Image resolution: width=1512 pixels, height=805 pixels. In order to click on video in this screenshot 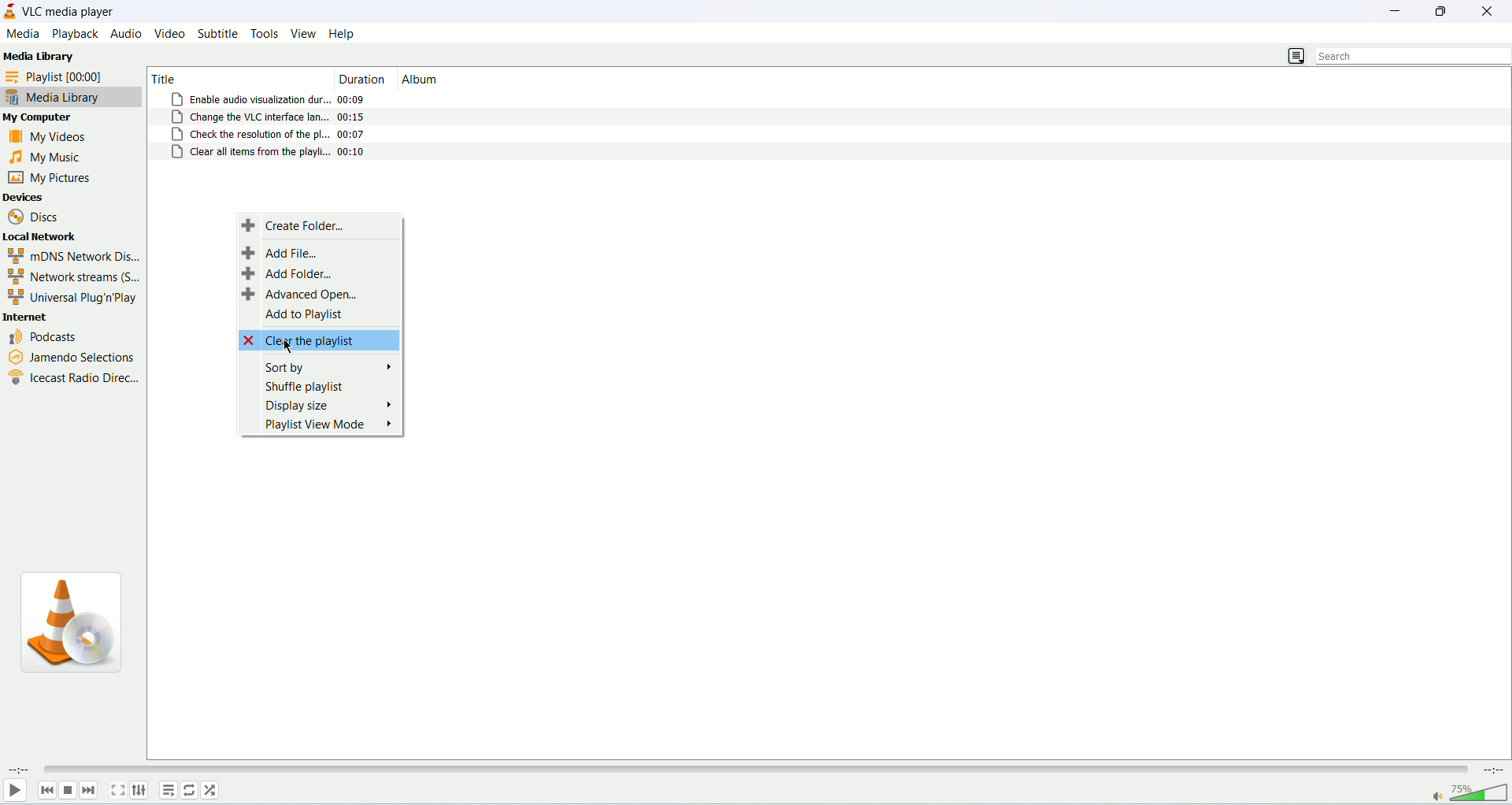, I will do `click(169, 34)`.